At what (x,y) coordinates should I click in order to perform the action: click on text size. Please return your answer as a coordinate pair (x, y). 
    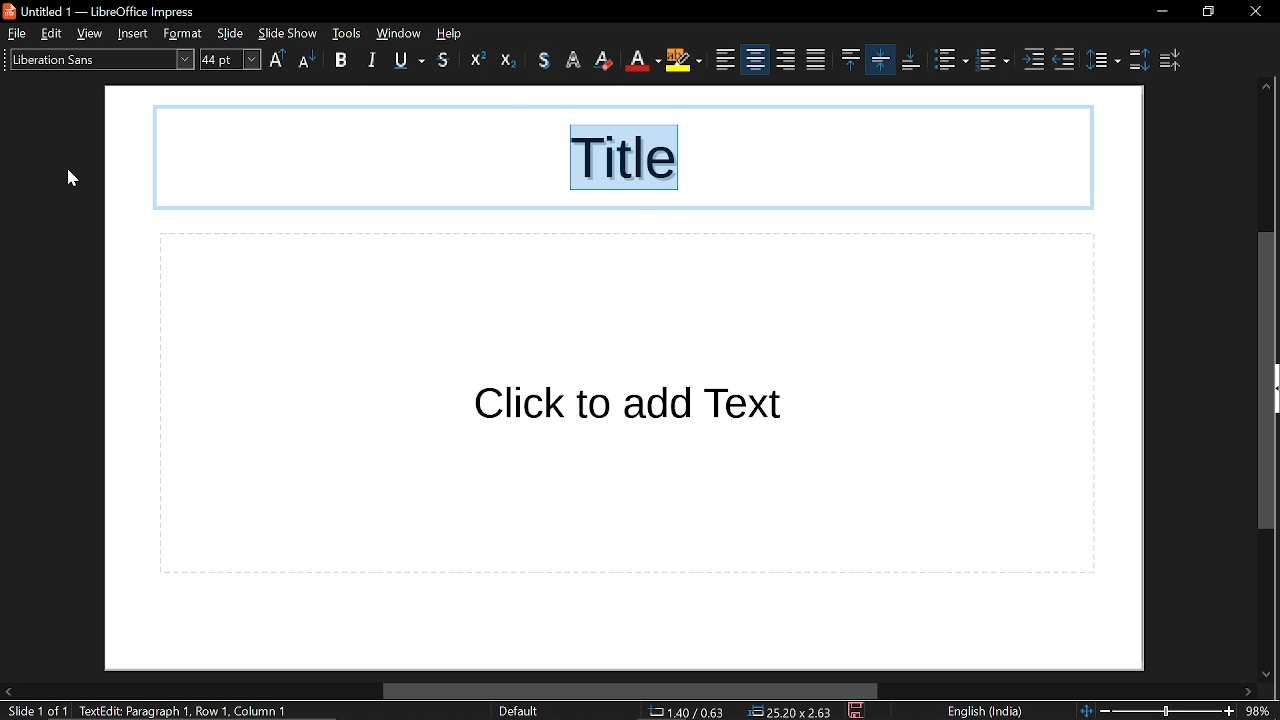
    Looking at the image, I should click on (230, 59).